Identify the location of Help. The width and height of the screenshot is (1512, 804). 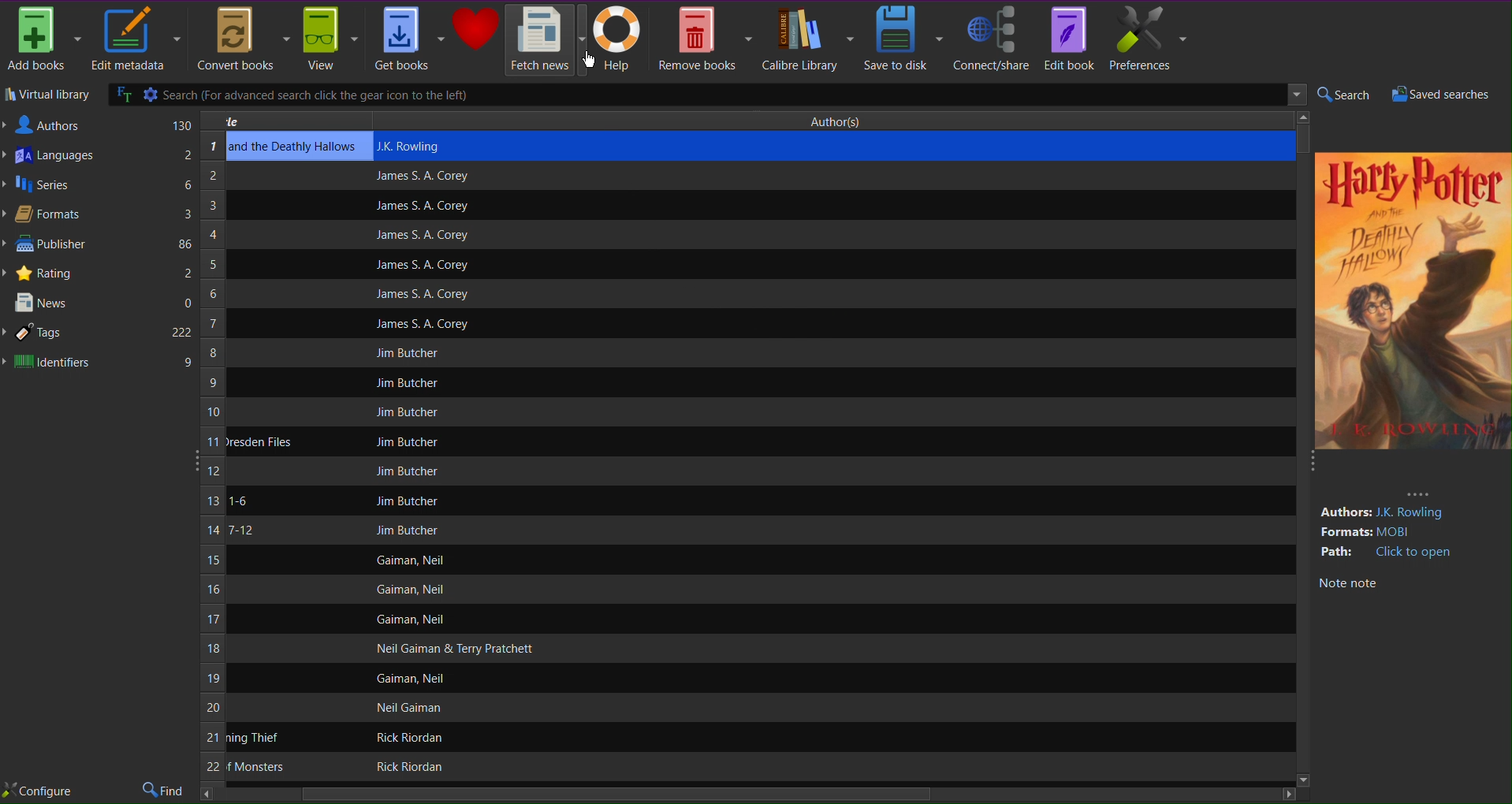
(621, 39).